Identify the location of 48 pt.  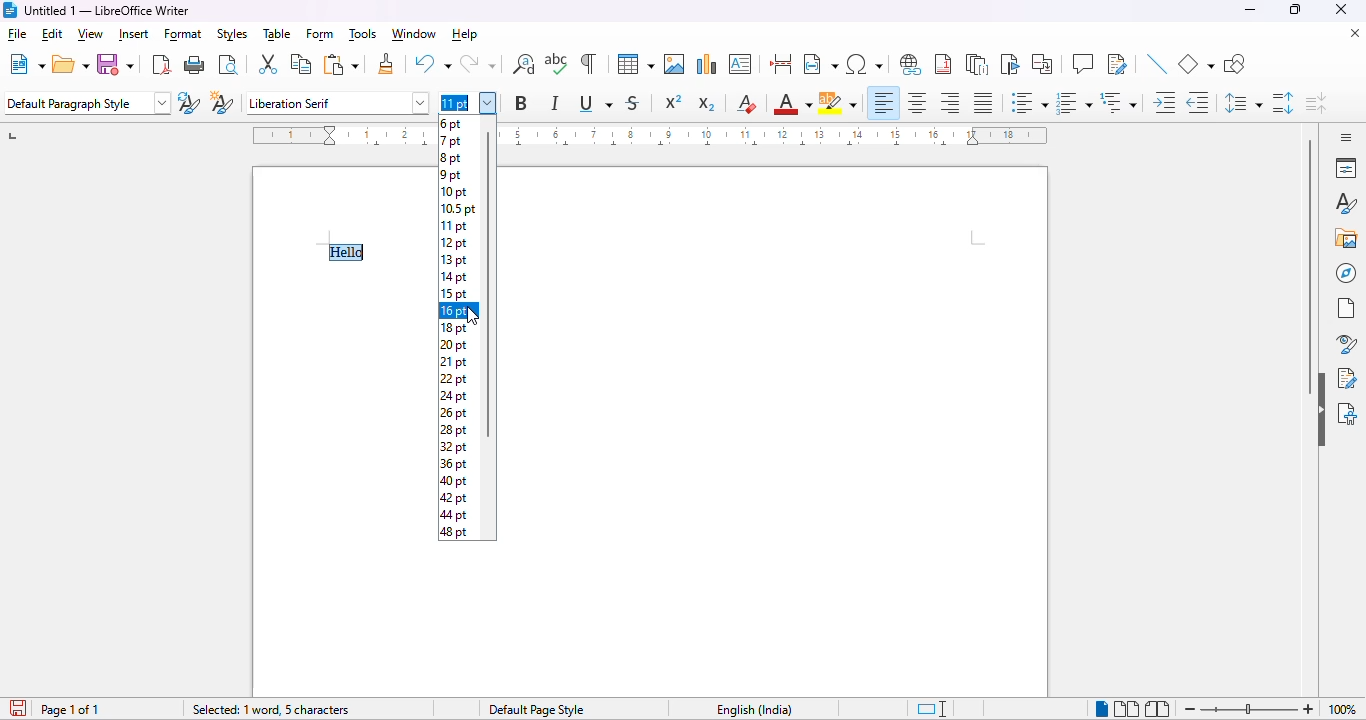
(452, 533).